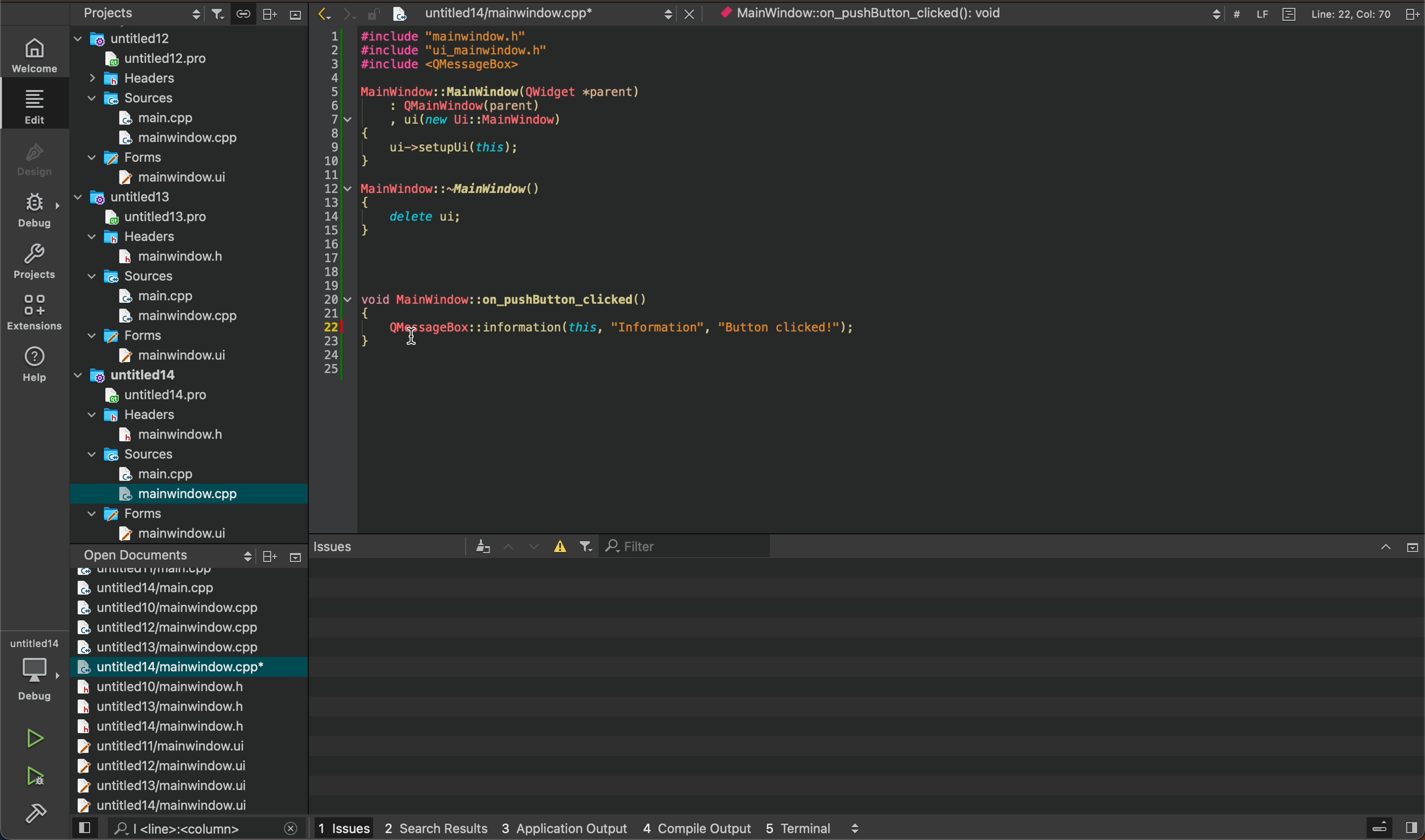 This screenshot has height=840, width=1425. Describe the element at coordinates (1307, 14) in the screenshot. I see `file logs` at that location.